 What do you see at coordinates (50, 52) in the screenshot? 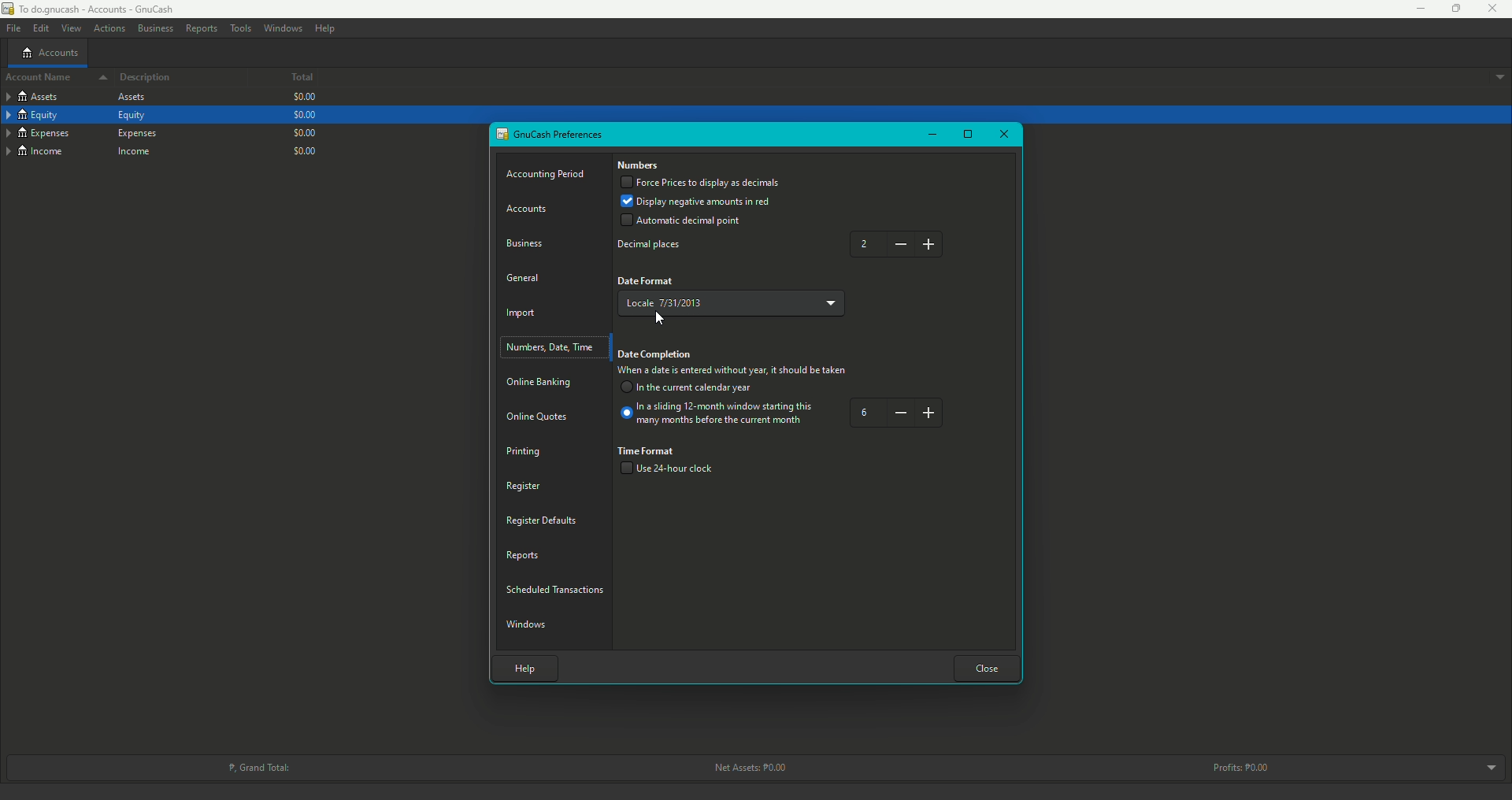
I see `Accounts` at bounding box center [50, 52].